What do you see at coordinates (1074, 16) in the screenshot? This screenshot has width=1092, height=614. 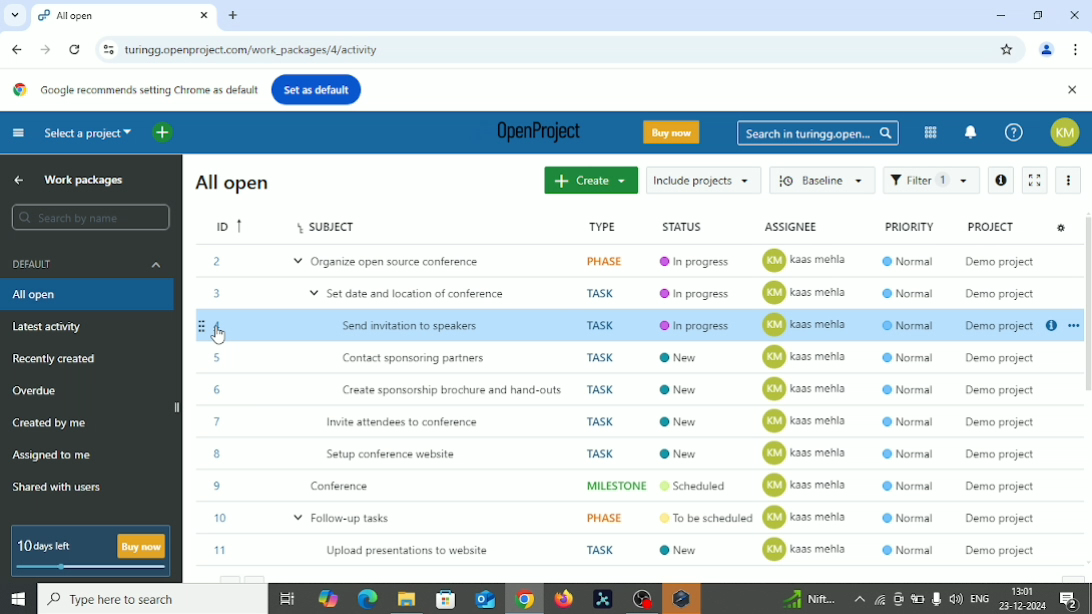 I see `Close` at bounding box center [1074, 16].